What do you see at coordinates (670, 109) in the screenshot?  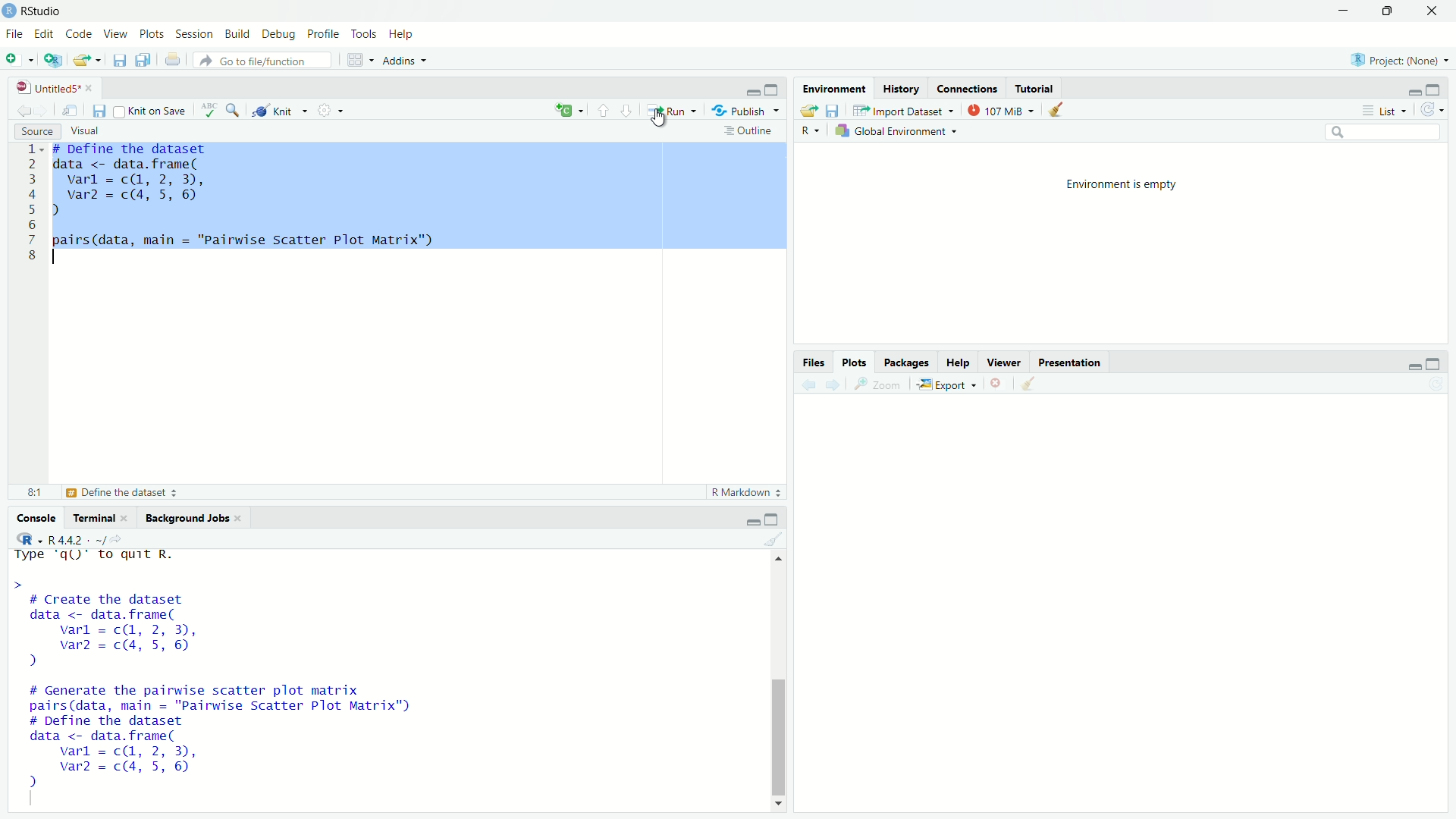 I see `Run the current line or selection (Ctrl + Enter)` at bounding box center [670, 109].